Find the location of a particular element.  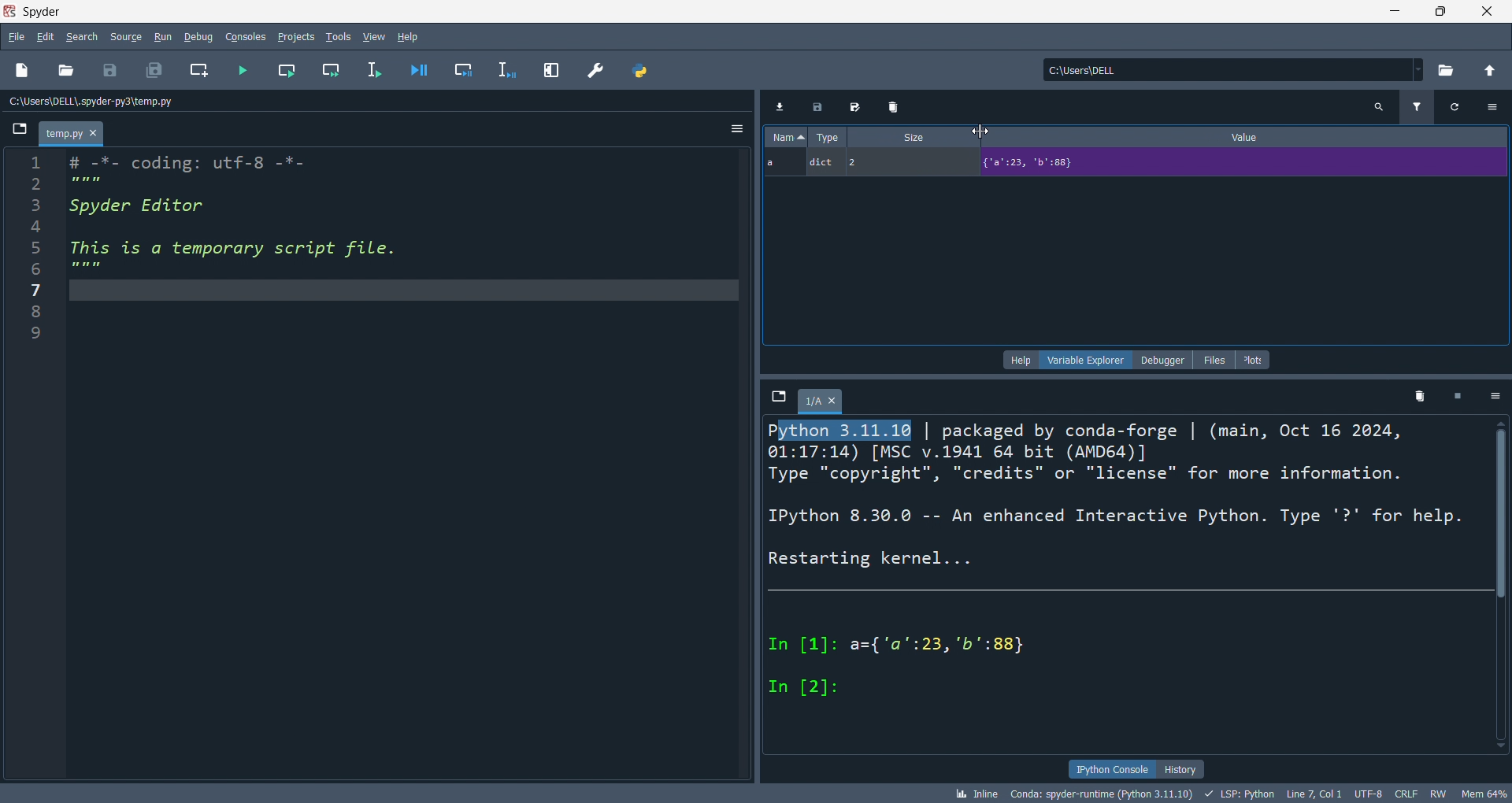

tools is located at coordinates (334, 36).